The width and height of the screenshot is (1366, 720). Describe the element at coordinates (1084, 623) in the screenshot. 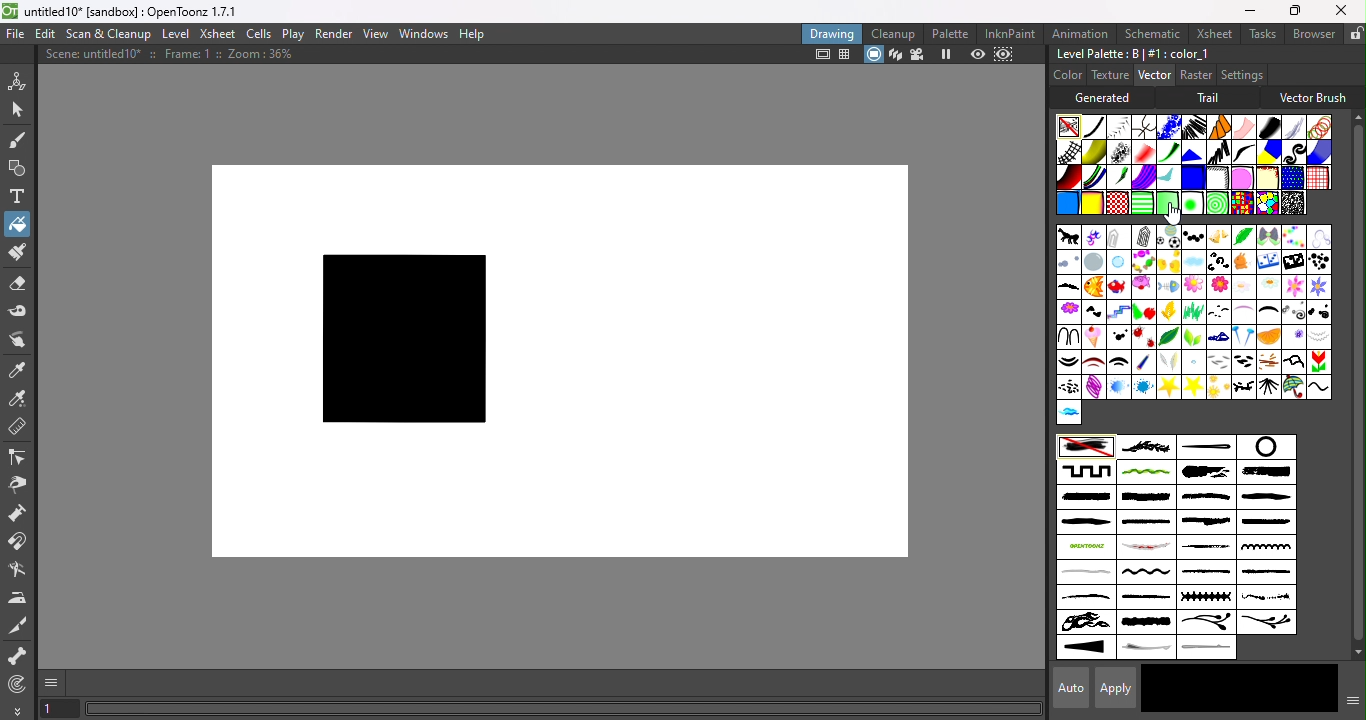

I see `stencil_flame` at that location.